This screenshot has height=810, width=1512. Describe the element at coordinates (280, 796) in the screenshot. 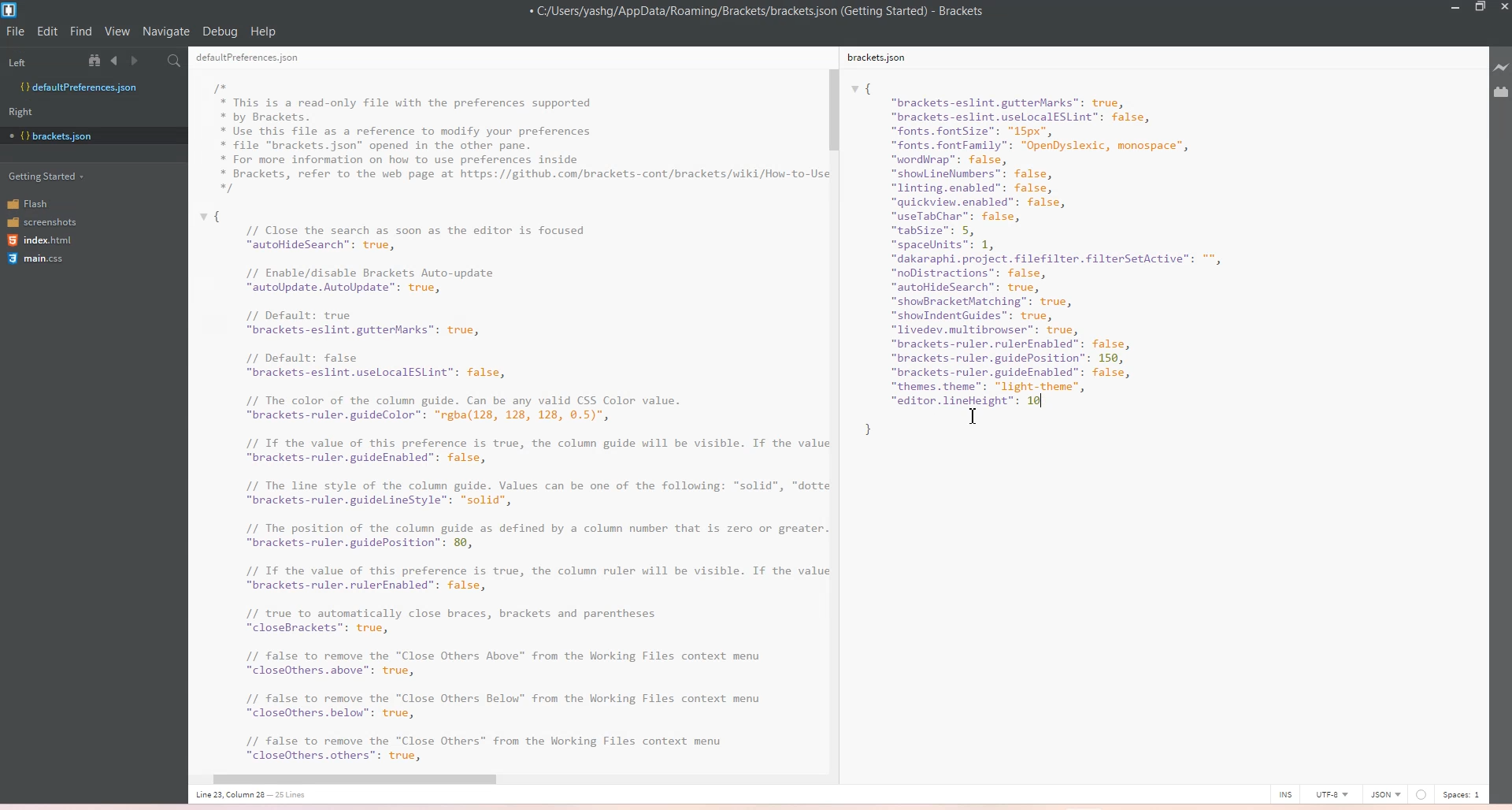

I see `Line 23, Column 27 - 25 Lines` at that location.